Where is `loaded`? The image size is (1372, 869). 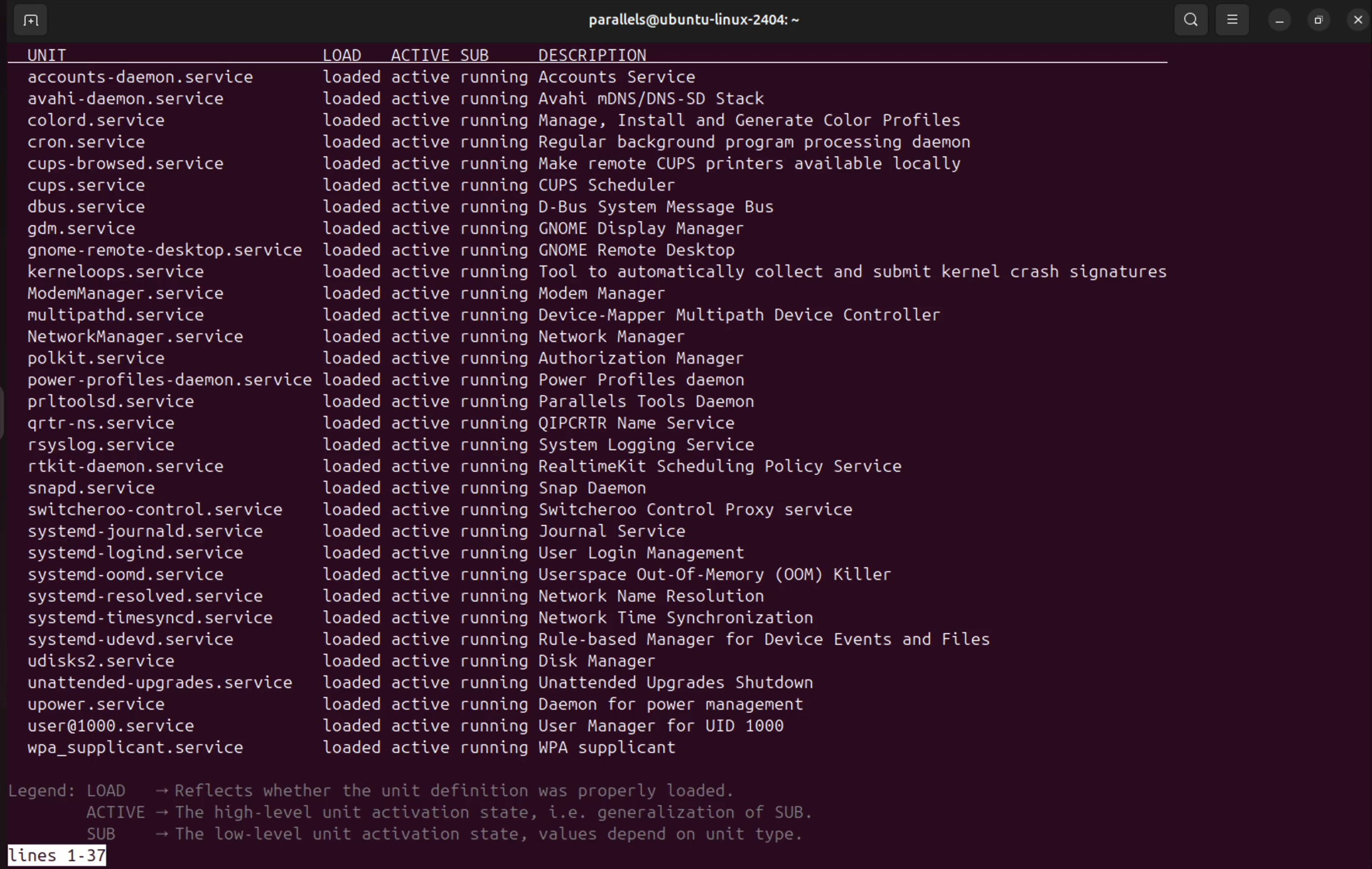 loaded is located at coordinates (349, 402).